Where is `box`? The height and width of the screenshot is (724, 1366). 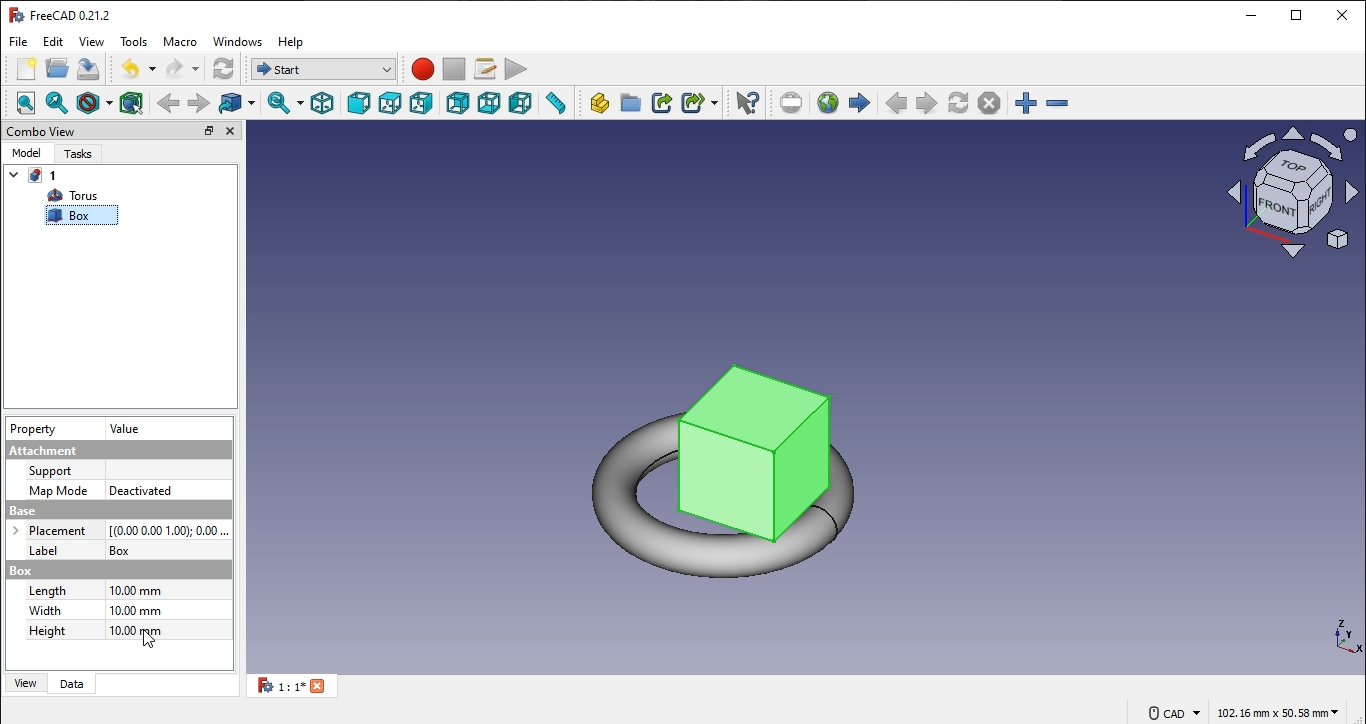
box is located at coordinates (112, 569).